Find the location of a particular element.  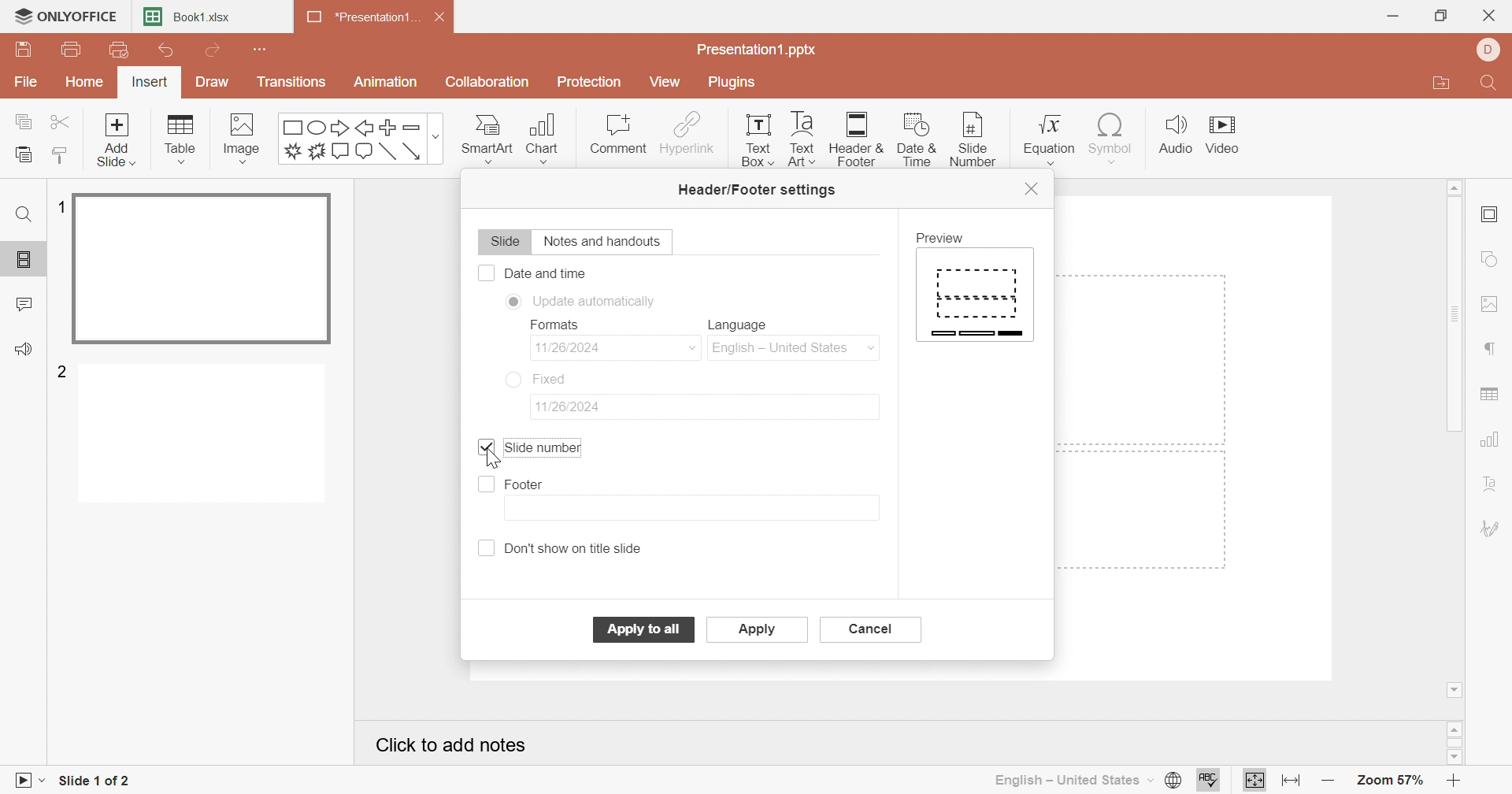

 is located at coordinates (916, 137).